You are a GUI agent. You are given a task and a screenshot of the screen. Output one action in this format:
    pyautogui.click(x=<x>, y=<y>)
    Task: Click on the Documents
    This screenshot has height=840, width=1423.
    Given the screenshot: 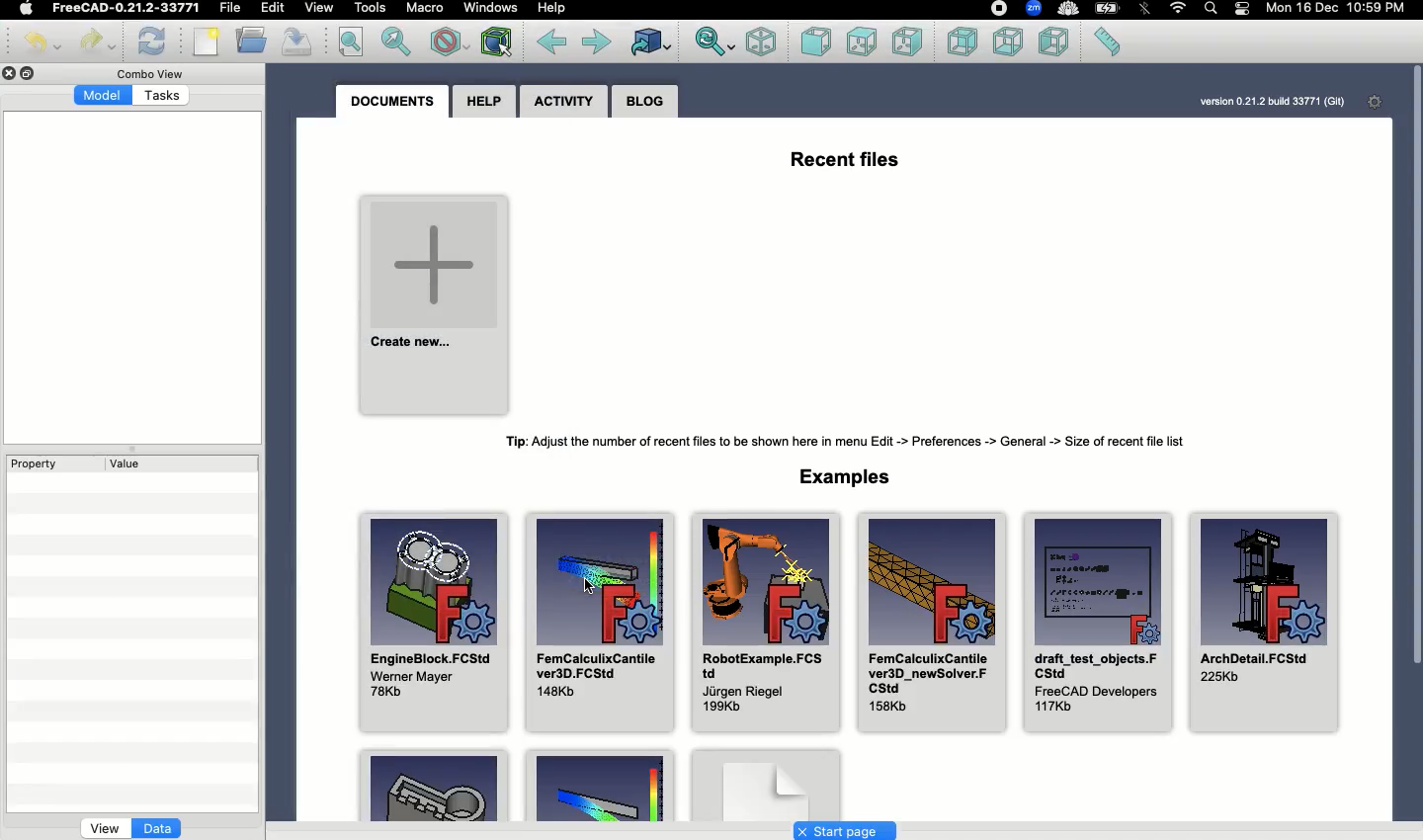 What is the action you would take?
    pyautogui.click(x=392, y=101)
    